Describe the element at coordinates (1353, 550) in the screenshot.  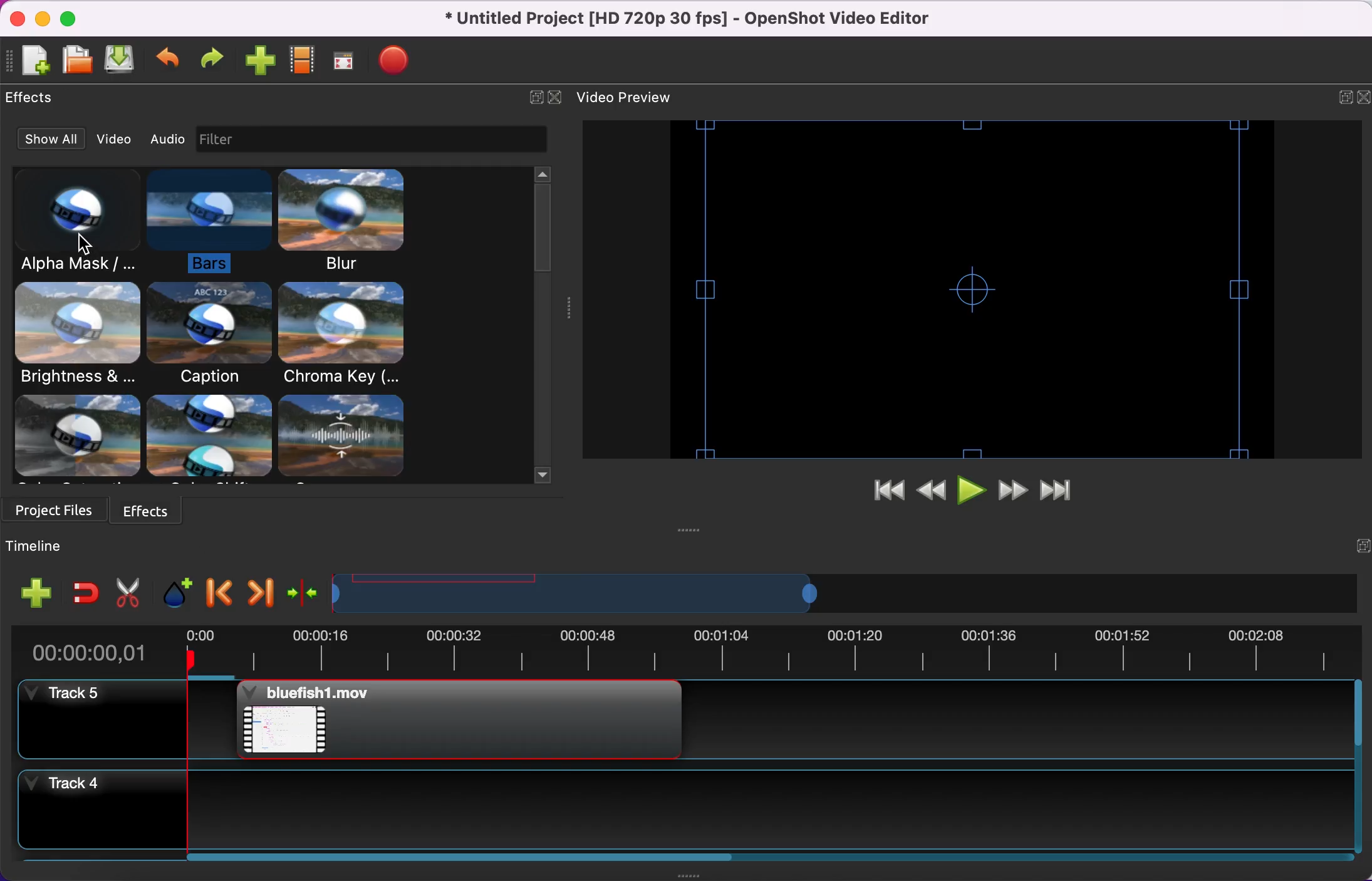
I see `expand/hide` at that location.